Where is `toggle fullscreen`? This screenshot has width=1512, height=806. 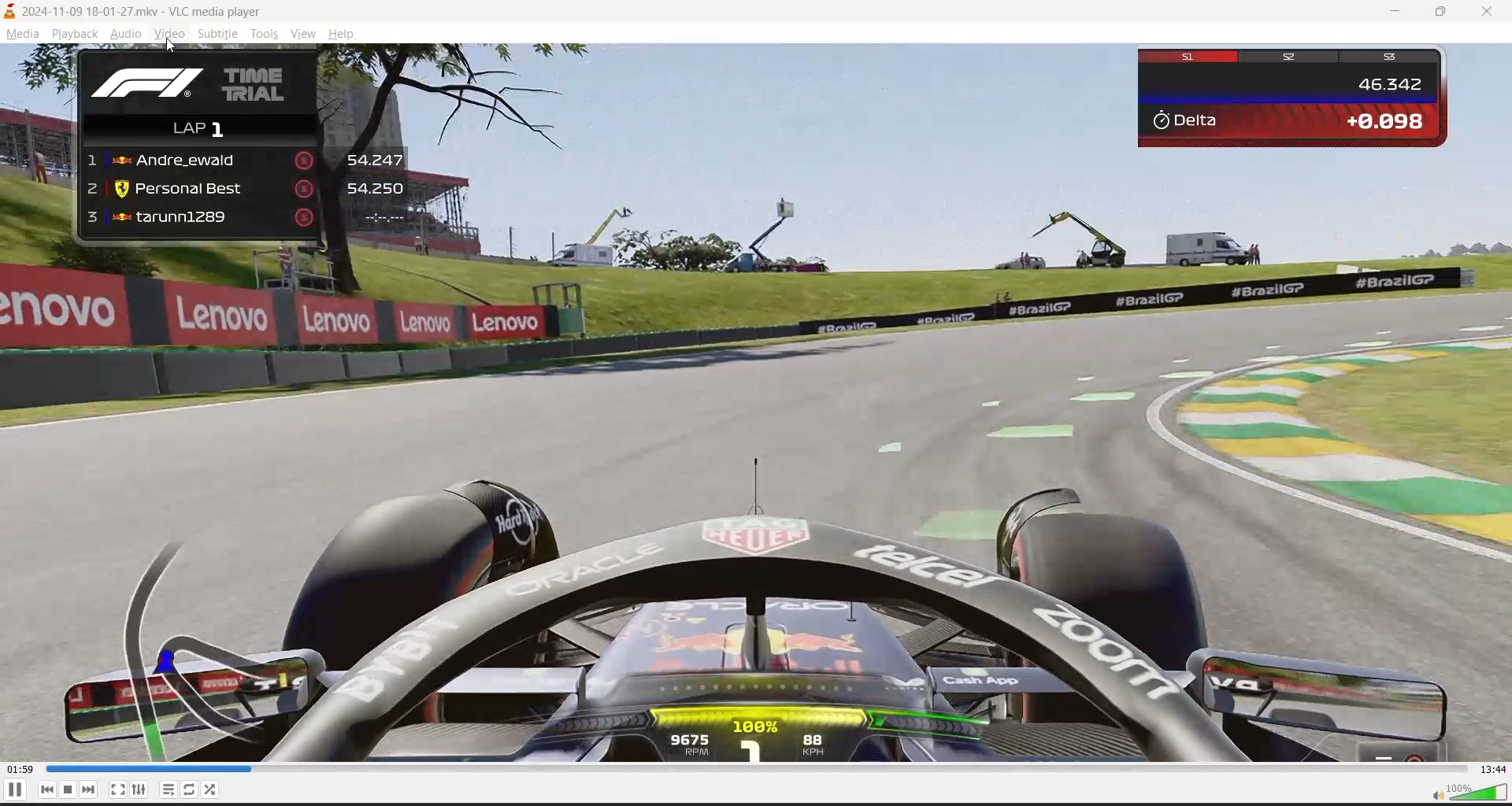
toggle fullscreen is located at coordinates (117, 789).